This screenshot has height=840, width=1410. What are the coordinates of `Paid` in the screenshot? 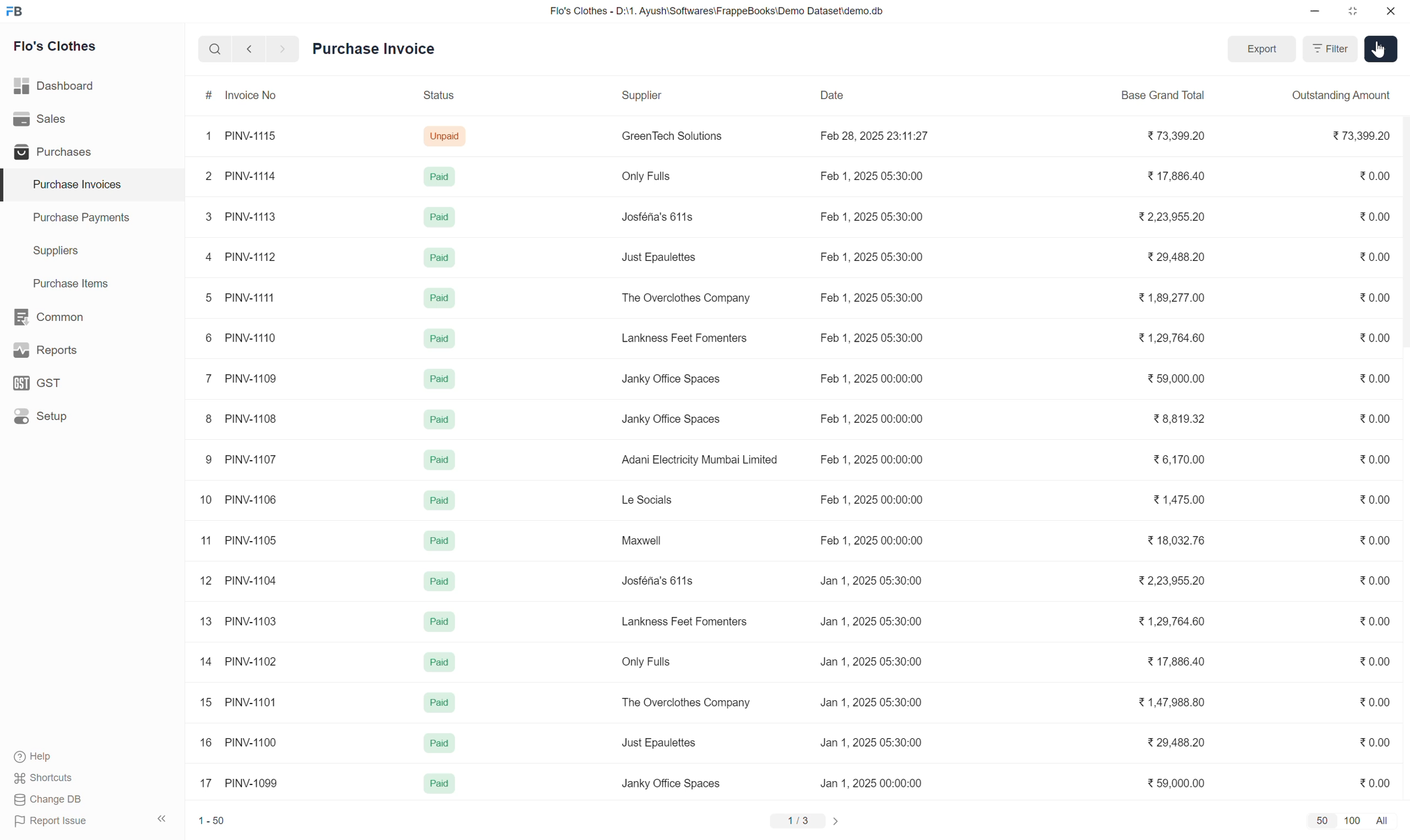 It's located at (435, 419).